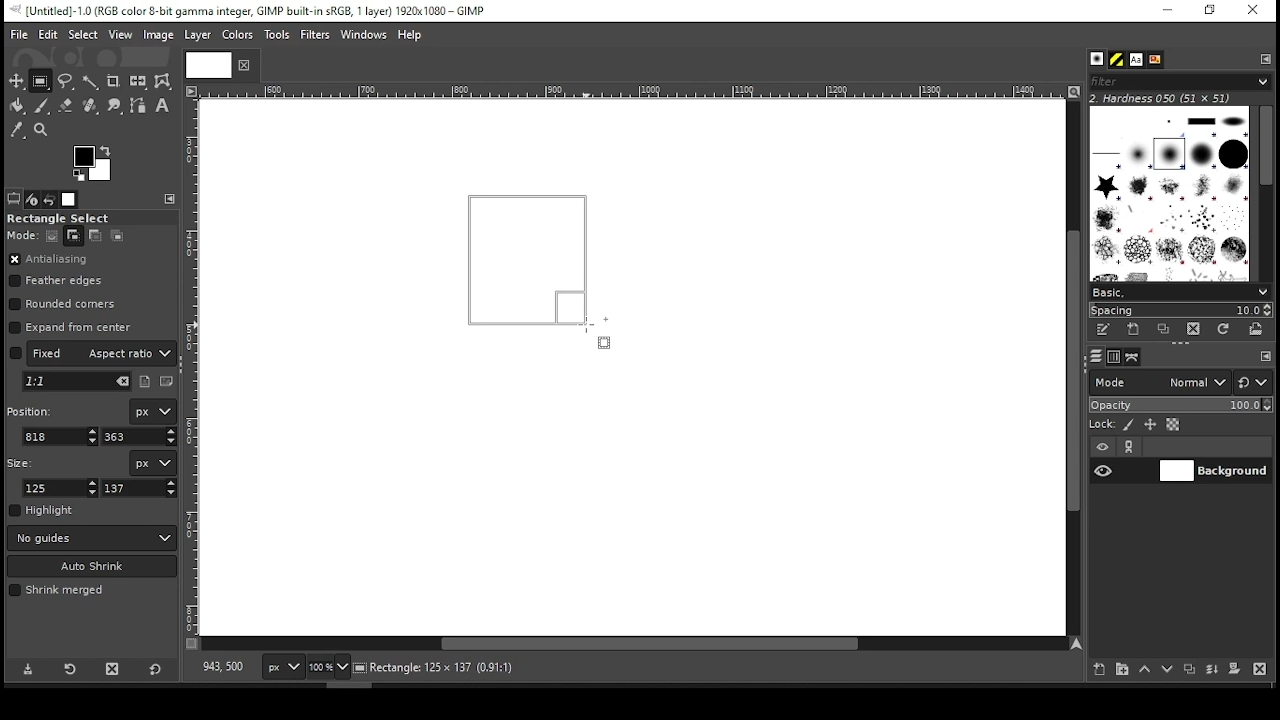  Describe the element at coordinates (1102, 331) in the screenshot. I see `edit this brush` at that location.